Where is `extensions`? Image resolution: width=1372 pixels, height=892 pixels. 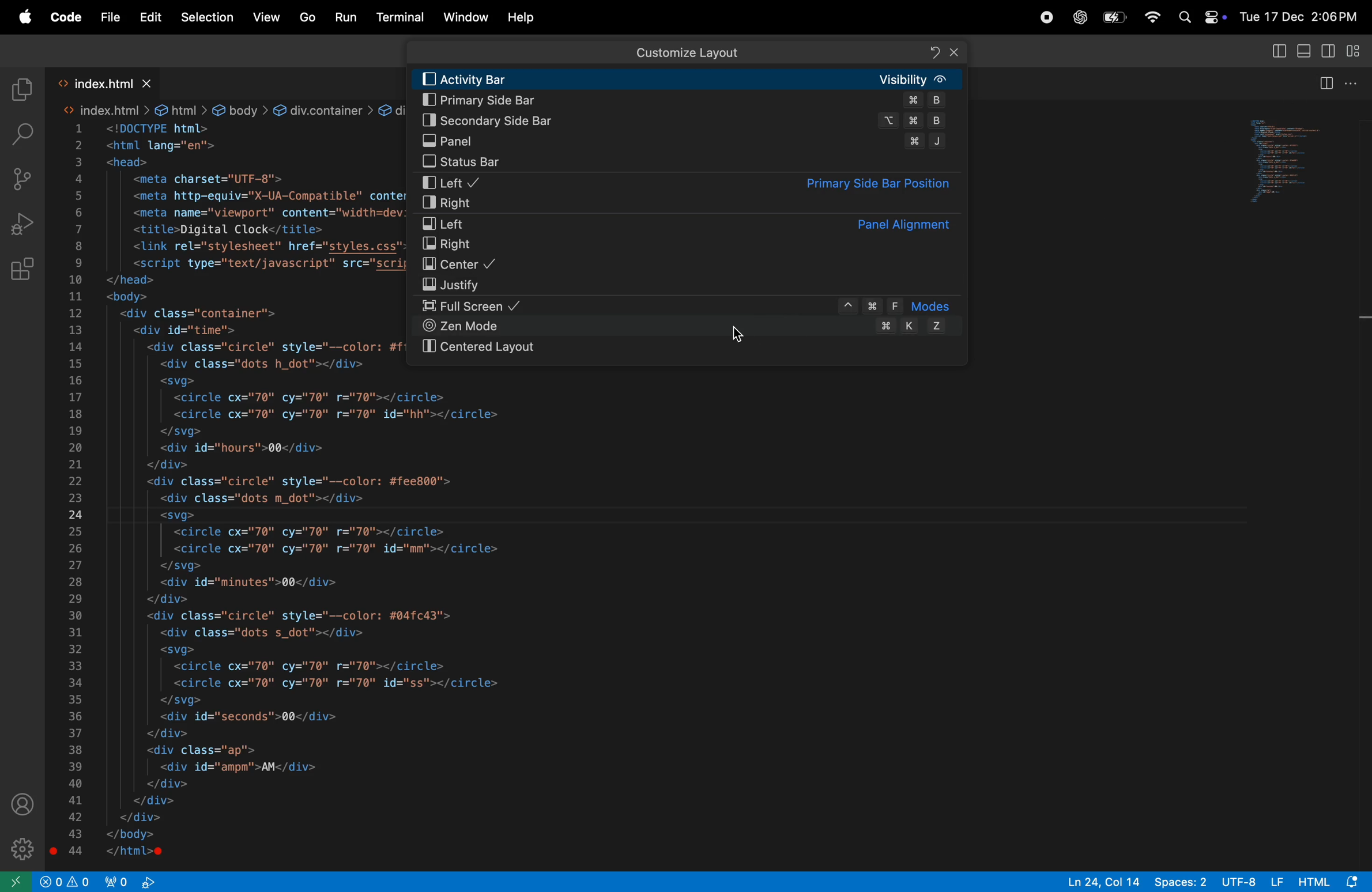
extensions is located at coordinates (24, 269).